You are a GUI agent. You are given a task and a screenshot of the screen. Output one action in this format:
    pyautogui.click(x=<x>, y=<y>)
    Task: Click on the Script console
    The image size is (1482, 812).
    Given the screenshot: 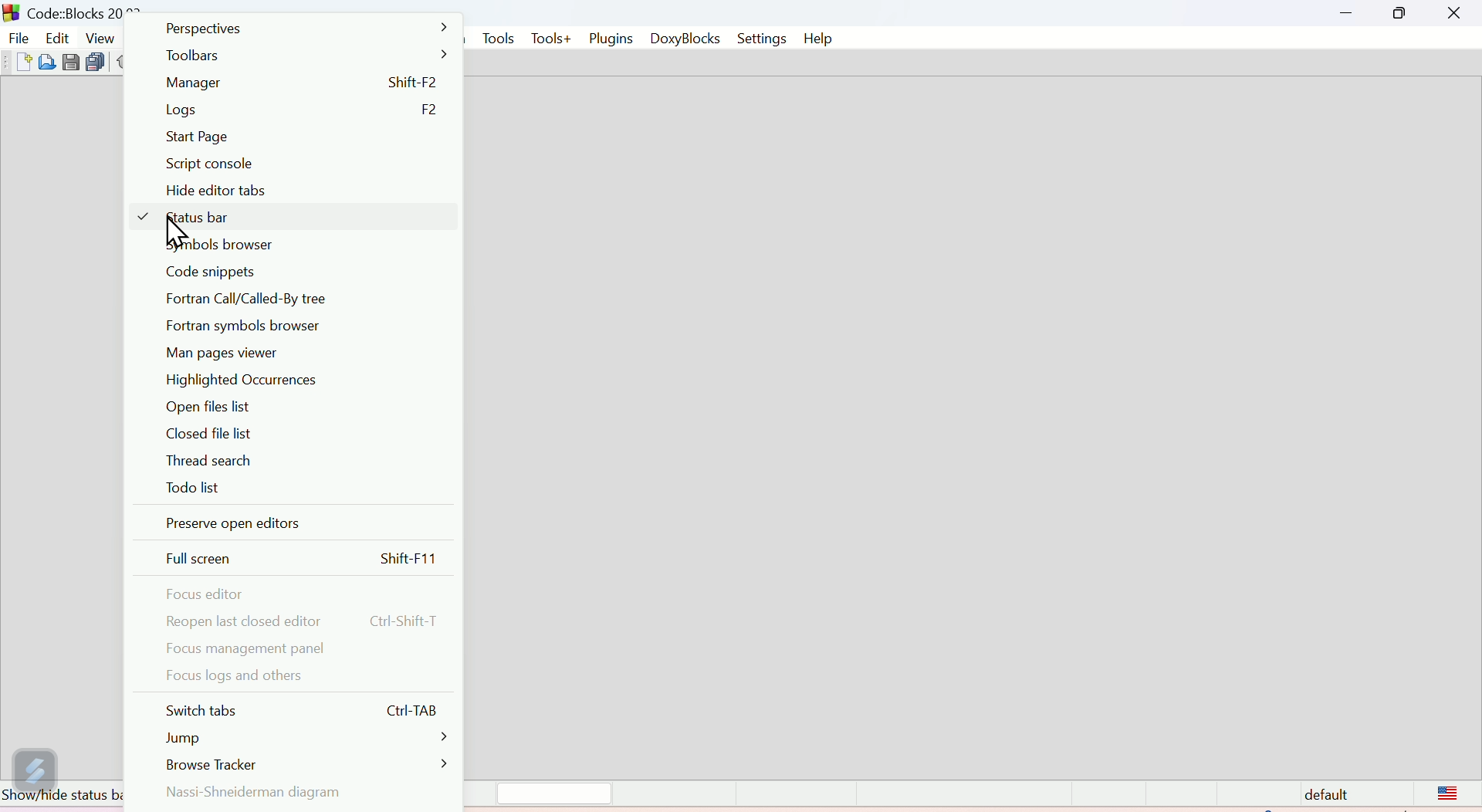 What is the action you would take?
    pyautogui.click(x=214, y=168)
    